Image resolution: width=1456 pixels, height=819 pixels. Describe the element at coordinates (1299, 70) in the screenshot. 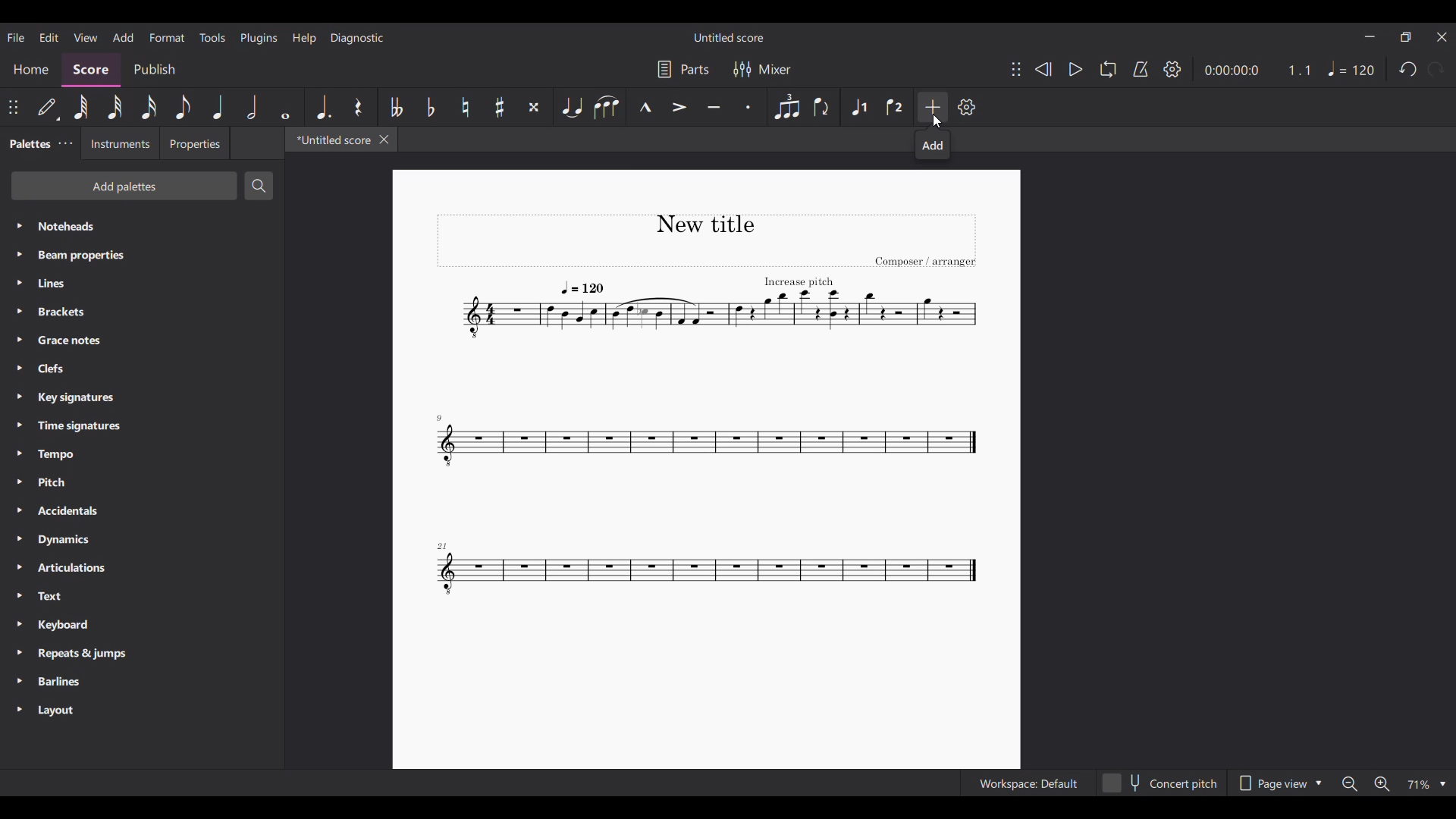

I see `Current ratio` at that location.